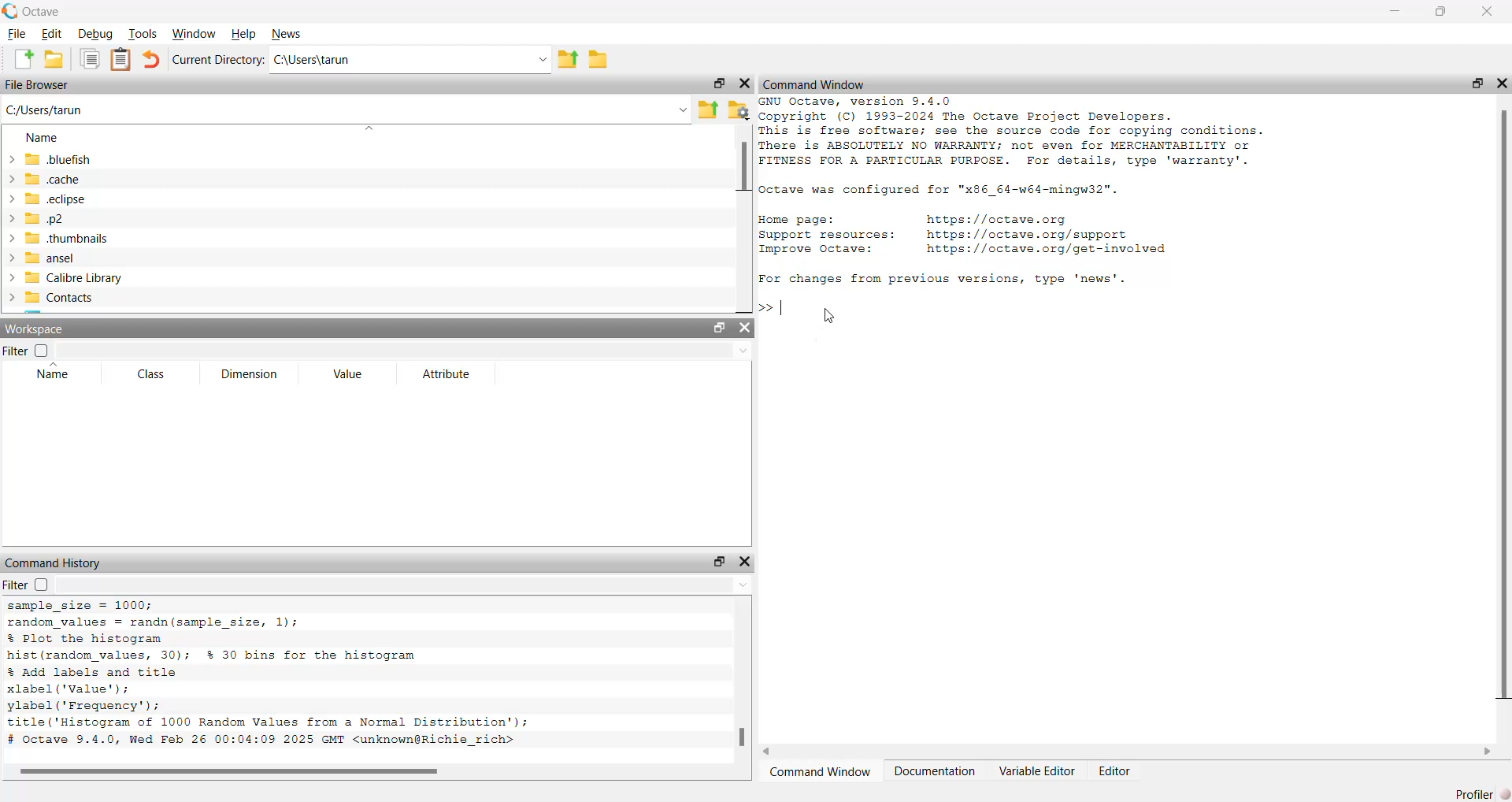 The width and height of the screenshot is (1512, 802). Describe the element at coordinates (121, 58) in the screenshot. I see `clipboard` at that location.